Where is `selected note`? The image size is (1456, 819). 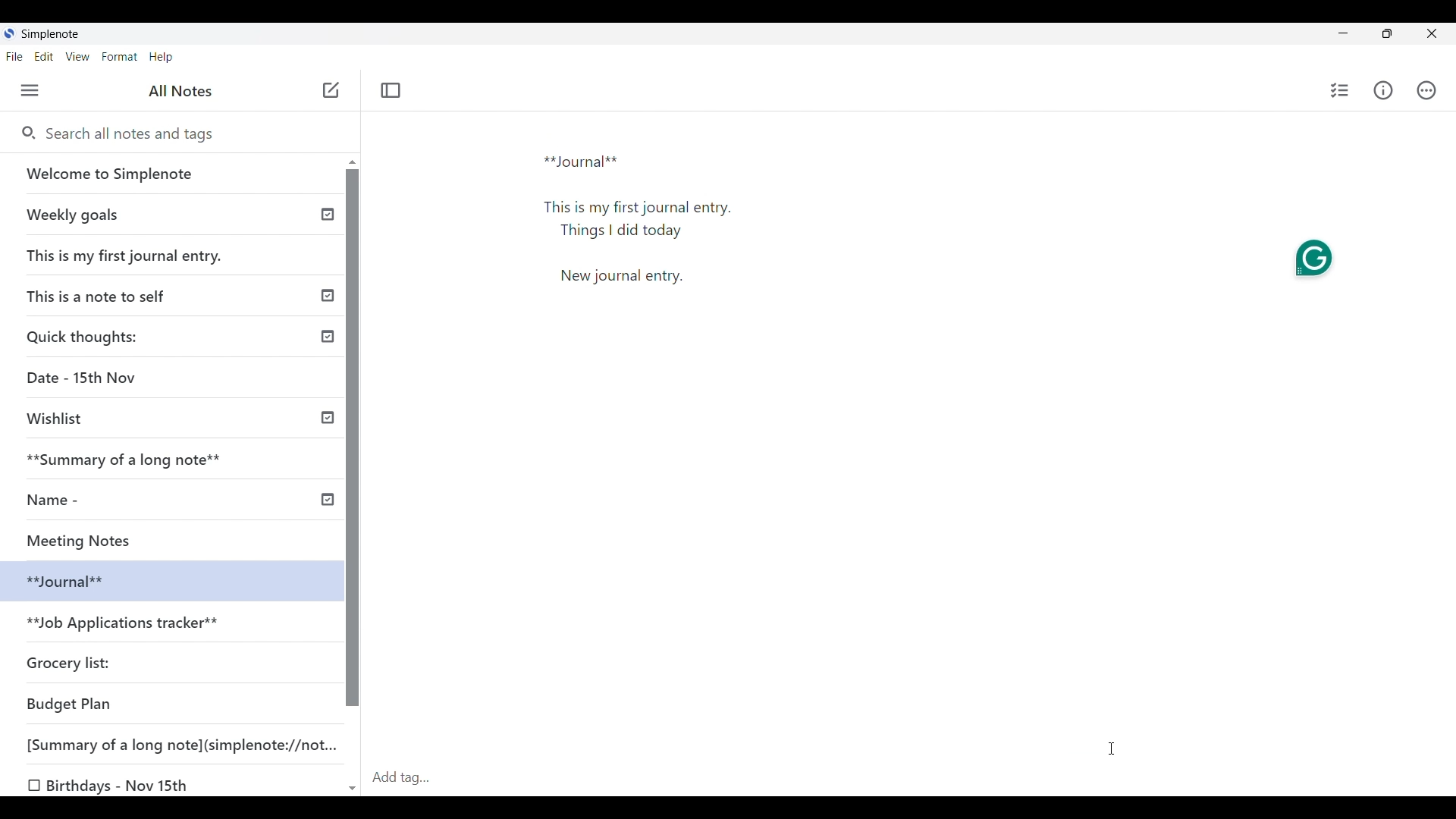
selected note is located at coordinates (168, 579).